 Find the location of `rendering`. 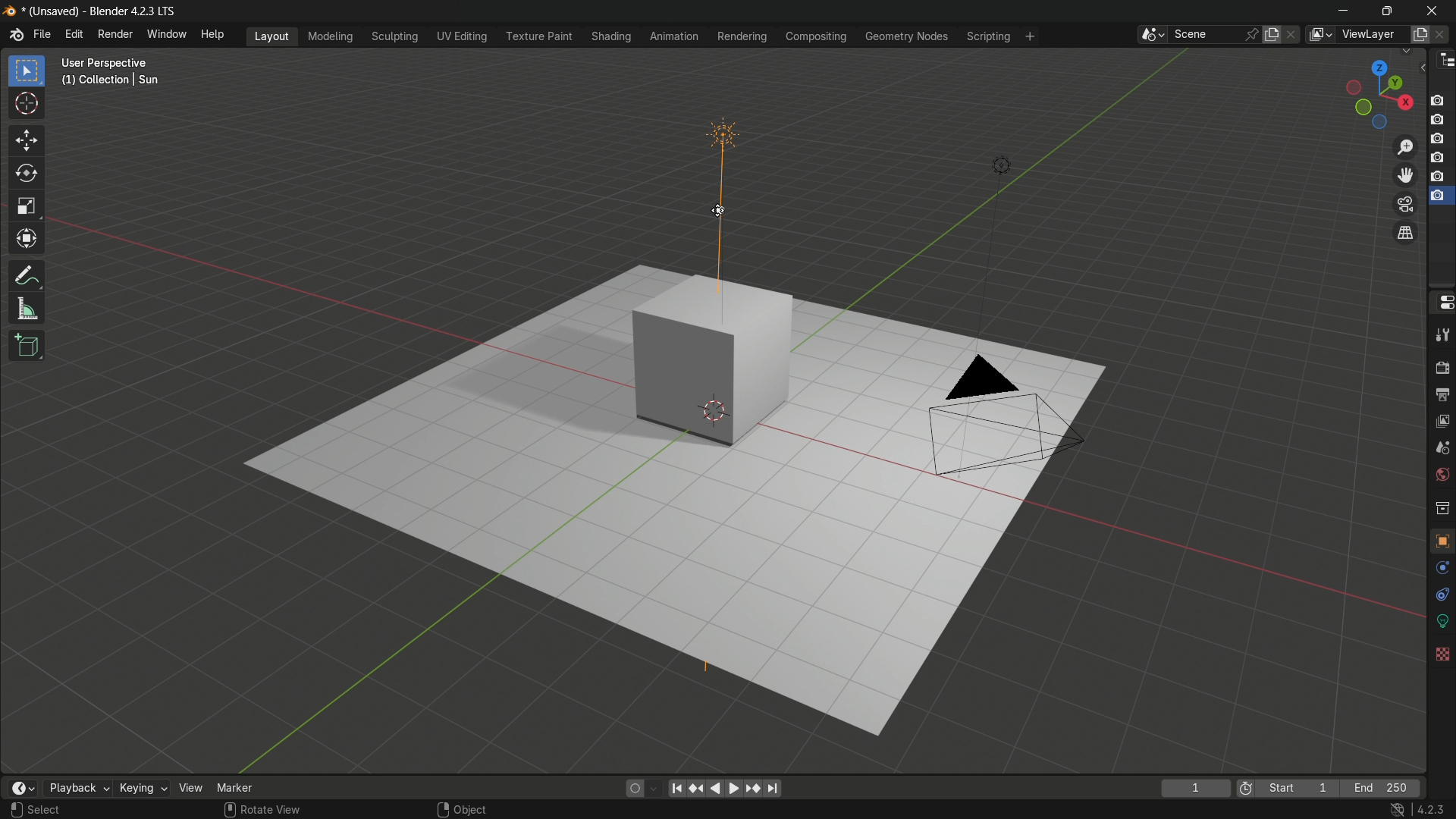

rendering is located at coordinates (740, 36).